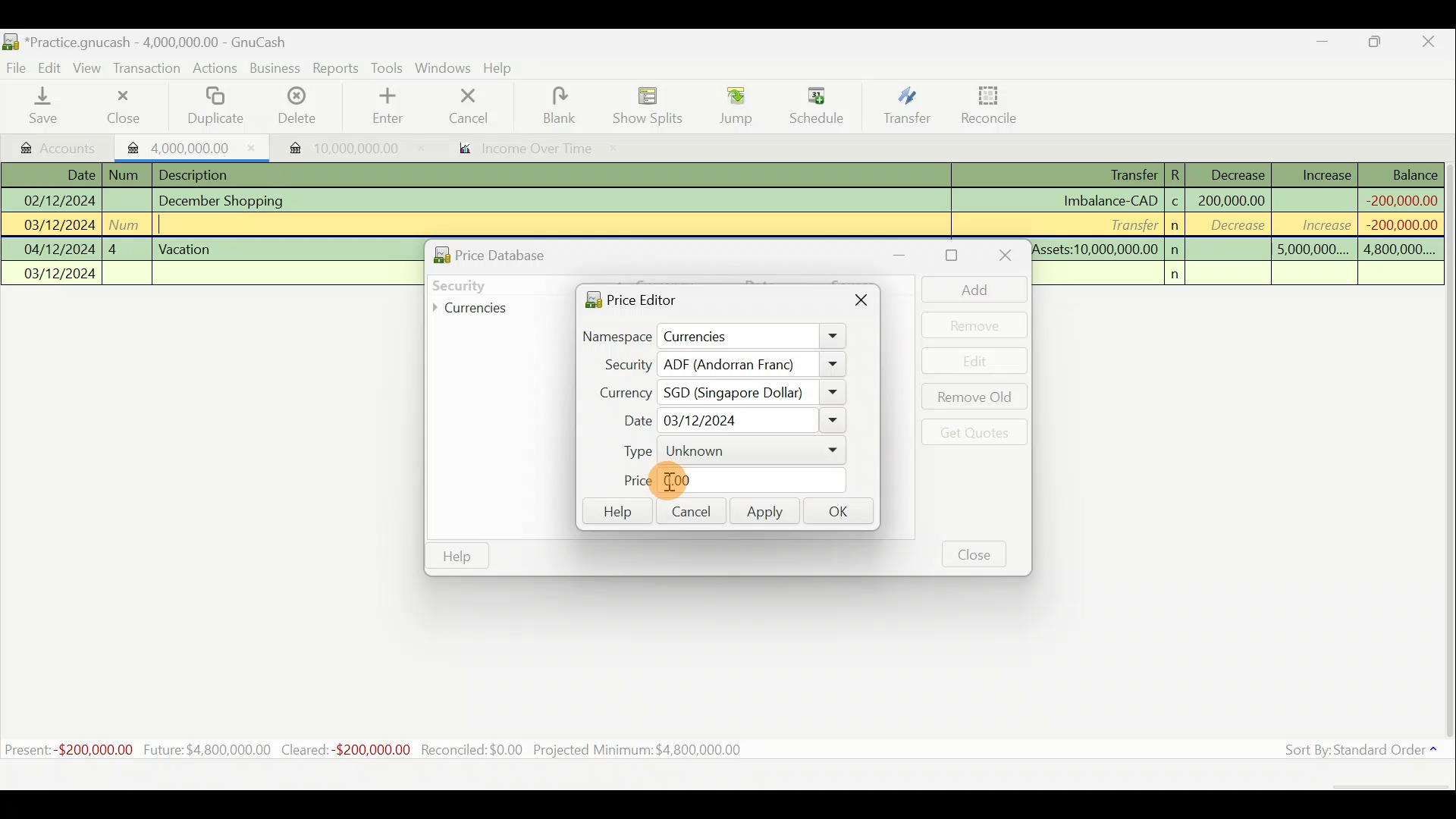 This screenshot has height=819, width=1456. I want to click on -200,000,000, so click(1399, 199).